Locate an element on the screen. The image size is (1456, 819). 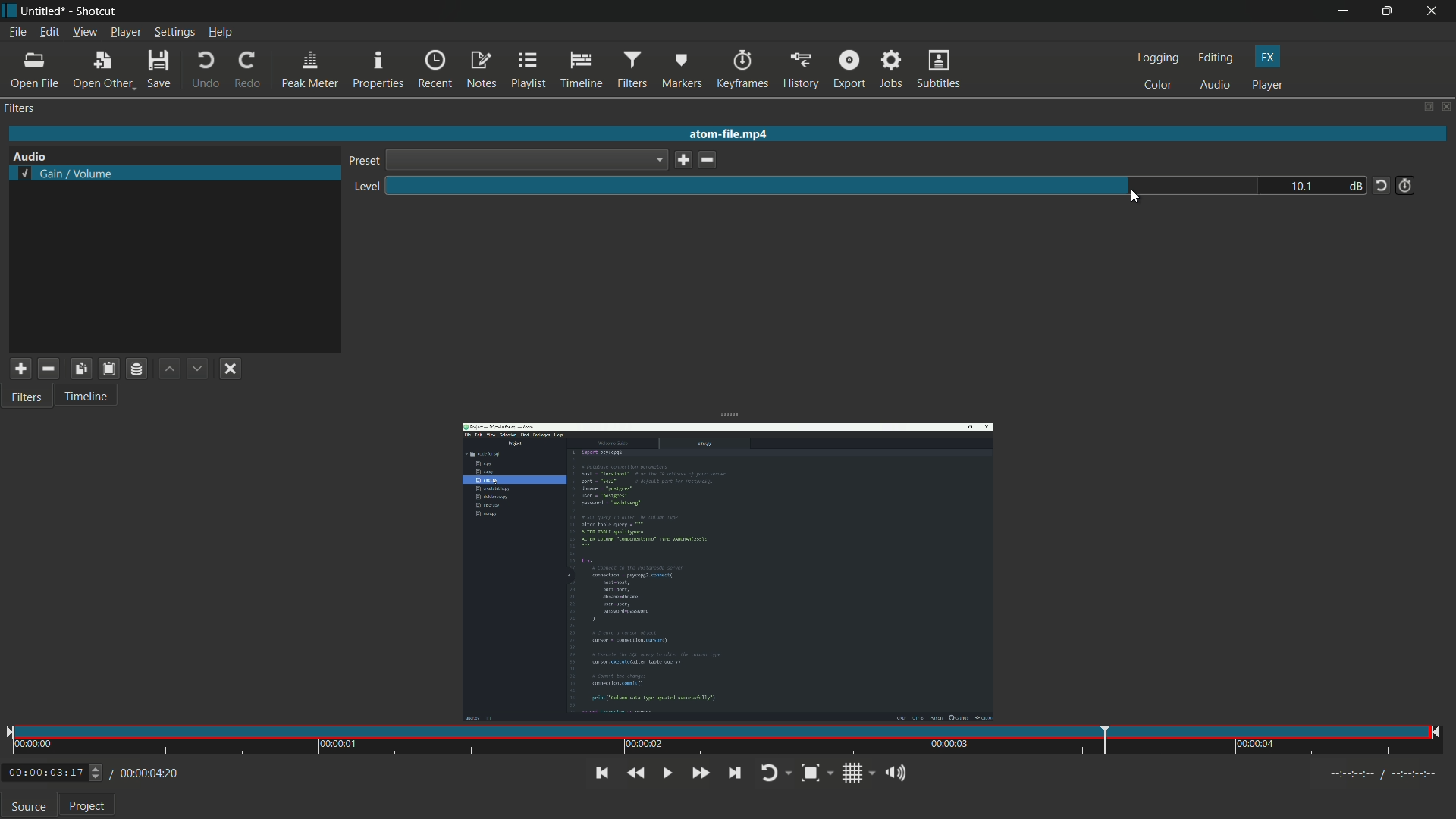
color is located at coordinates (1158, 86).